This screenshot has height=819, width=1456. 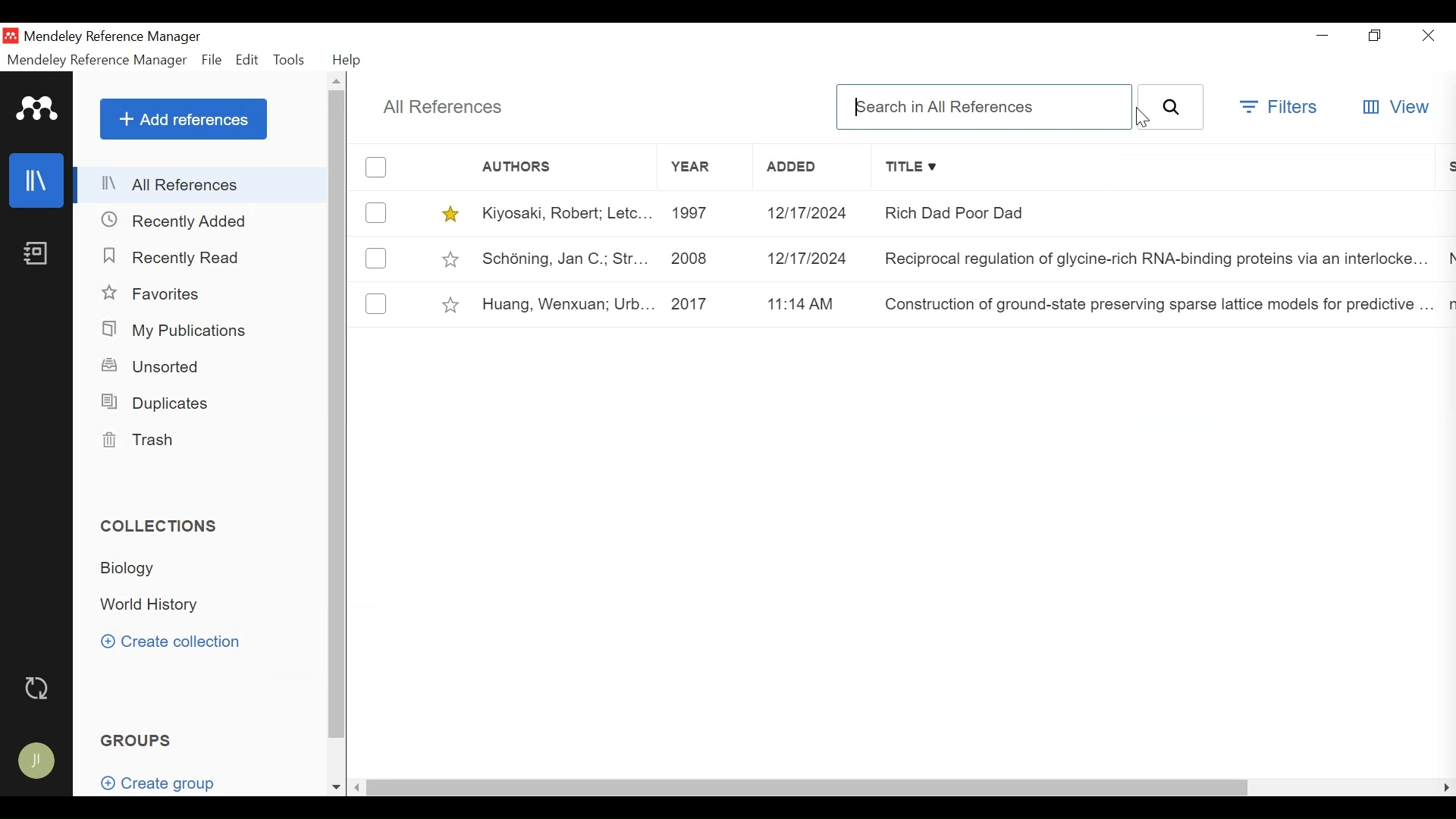 I want to click on (un)select, so click(x=377, y=258).